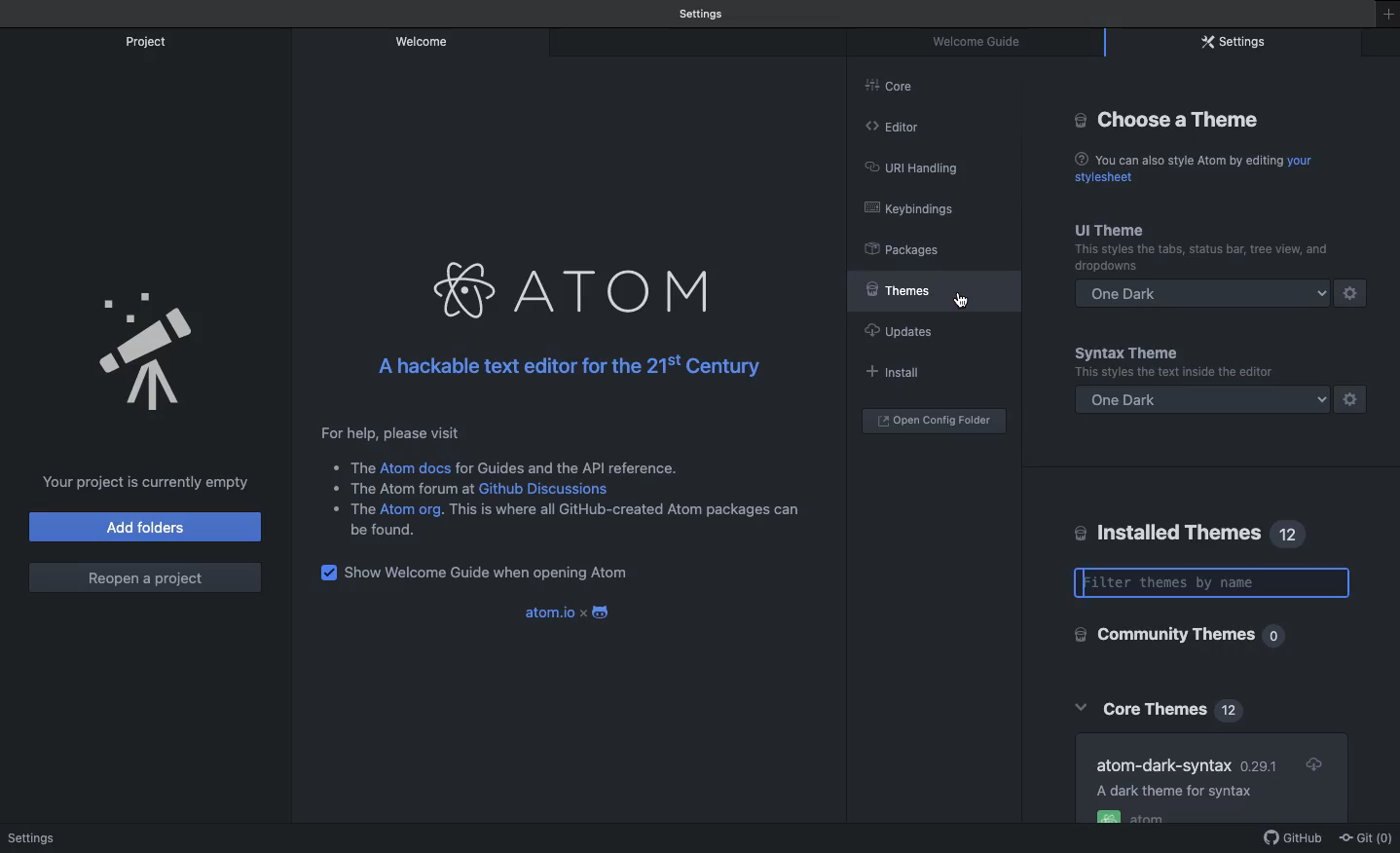 The height and width of the screenshot is (853, 1400). Describe the element at coordinates (418, 468) in the screenshot. I see ` Atom docs` at that location.